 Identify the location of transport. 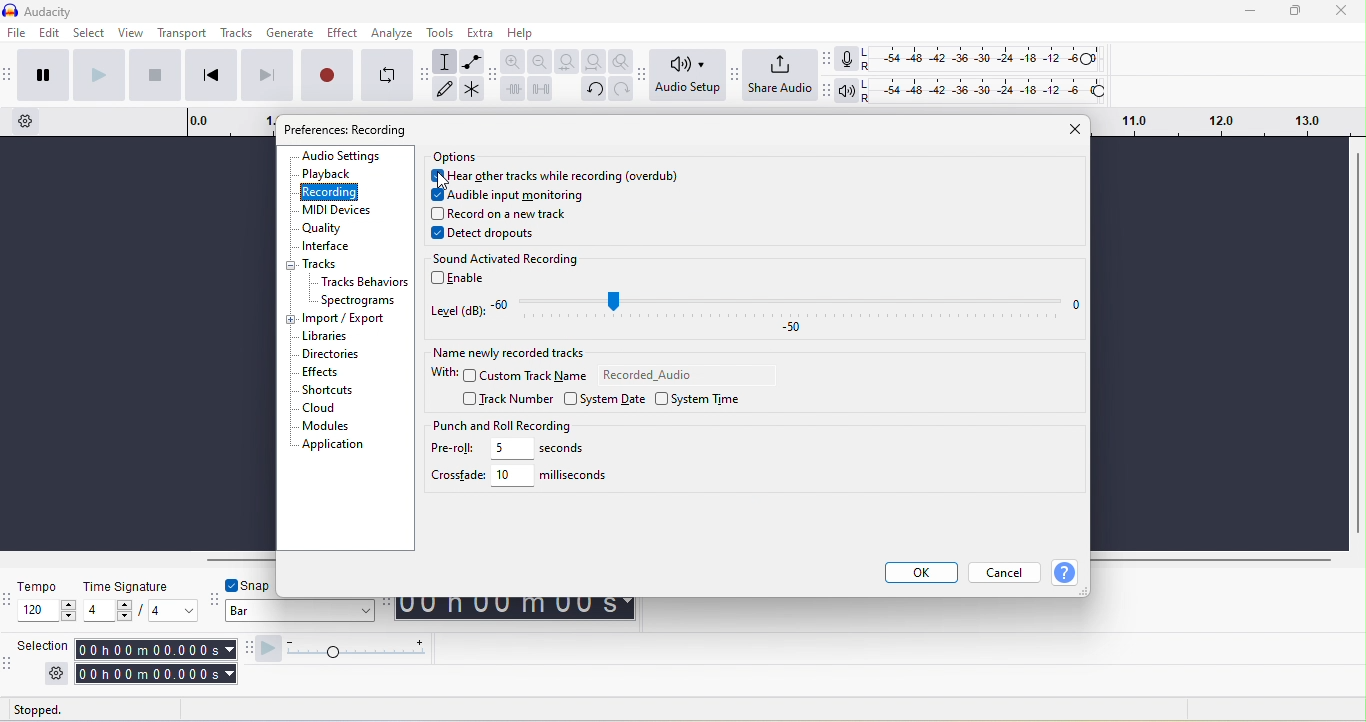
(182, 33).